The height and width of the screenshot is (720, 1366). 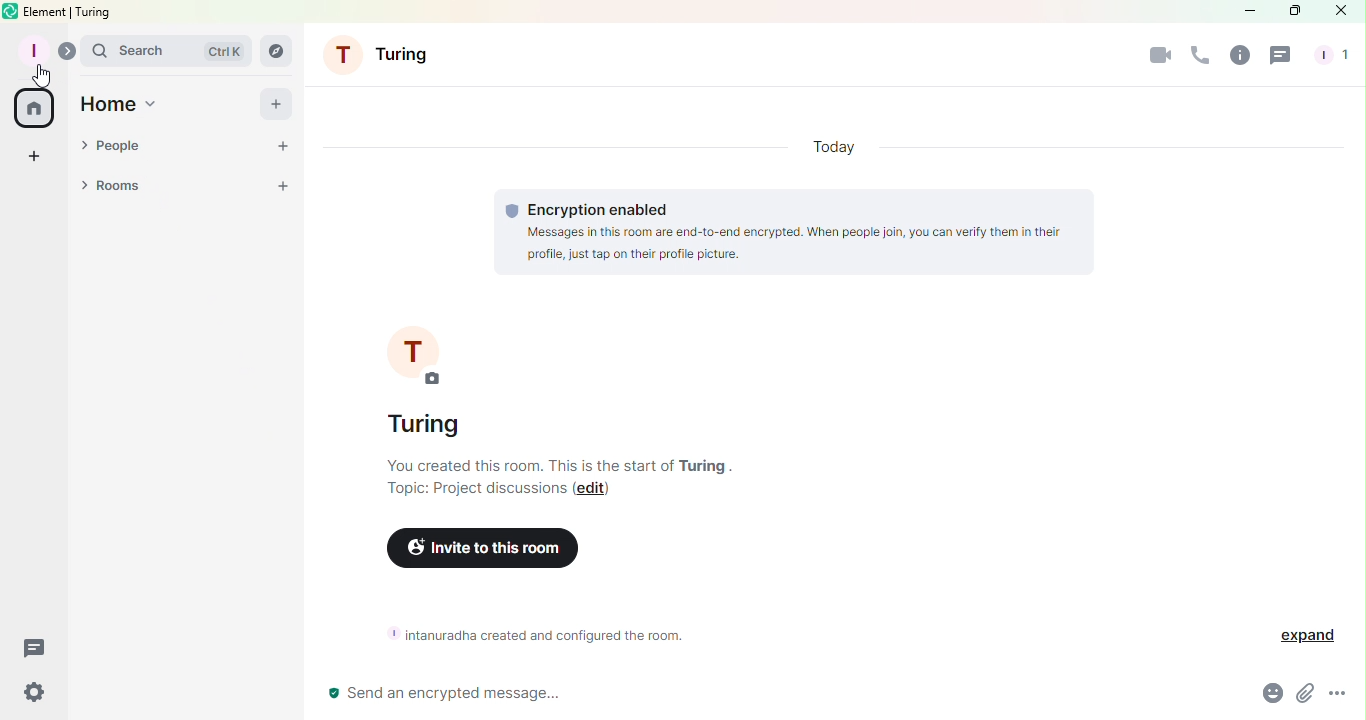 What do you see at coordinates (45, 77) in the screenshot?
I see `Cursor` at bounding box center [45, 77].